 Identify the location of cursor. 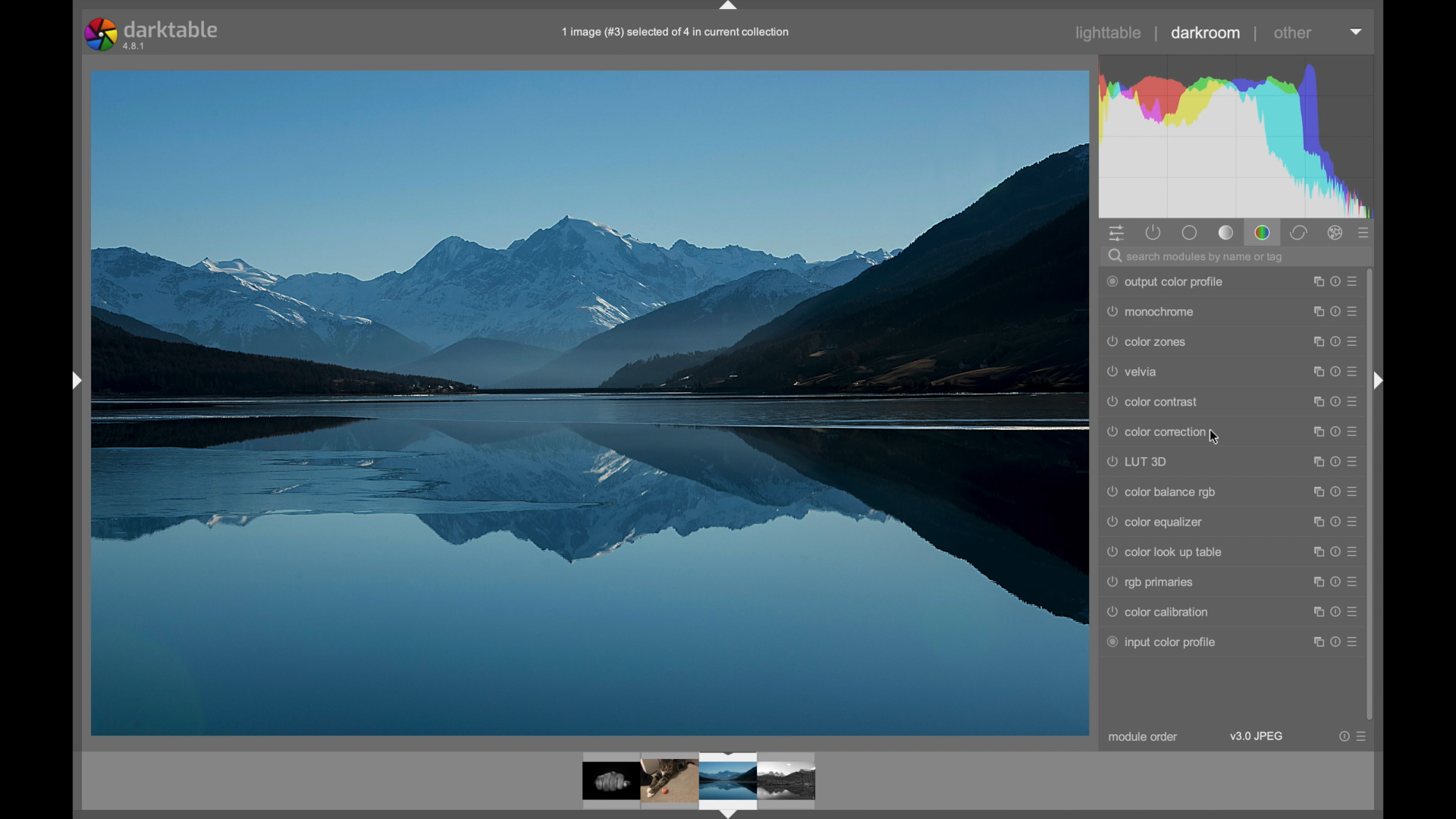
(1216, 440).